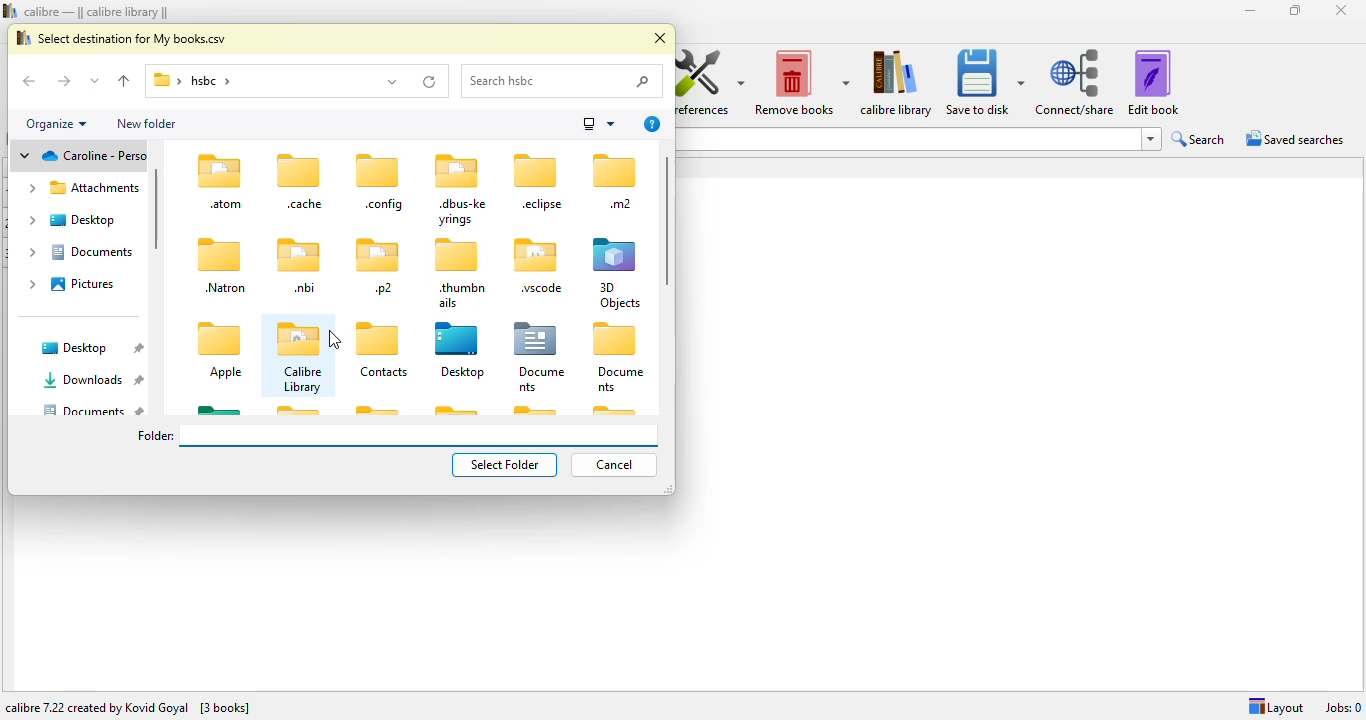  What do you see at coordinates (498, 355) in the screenshot?
I see `folders` at bounding box center [498, 355].